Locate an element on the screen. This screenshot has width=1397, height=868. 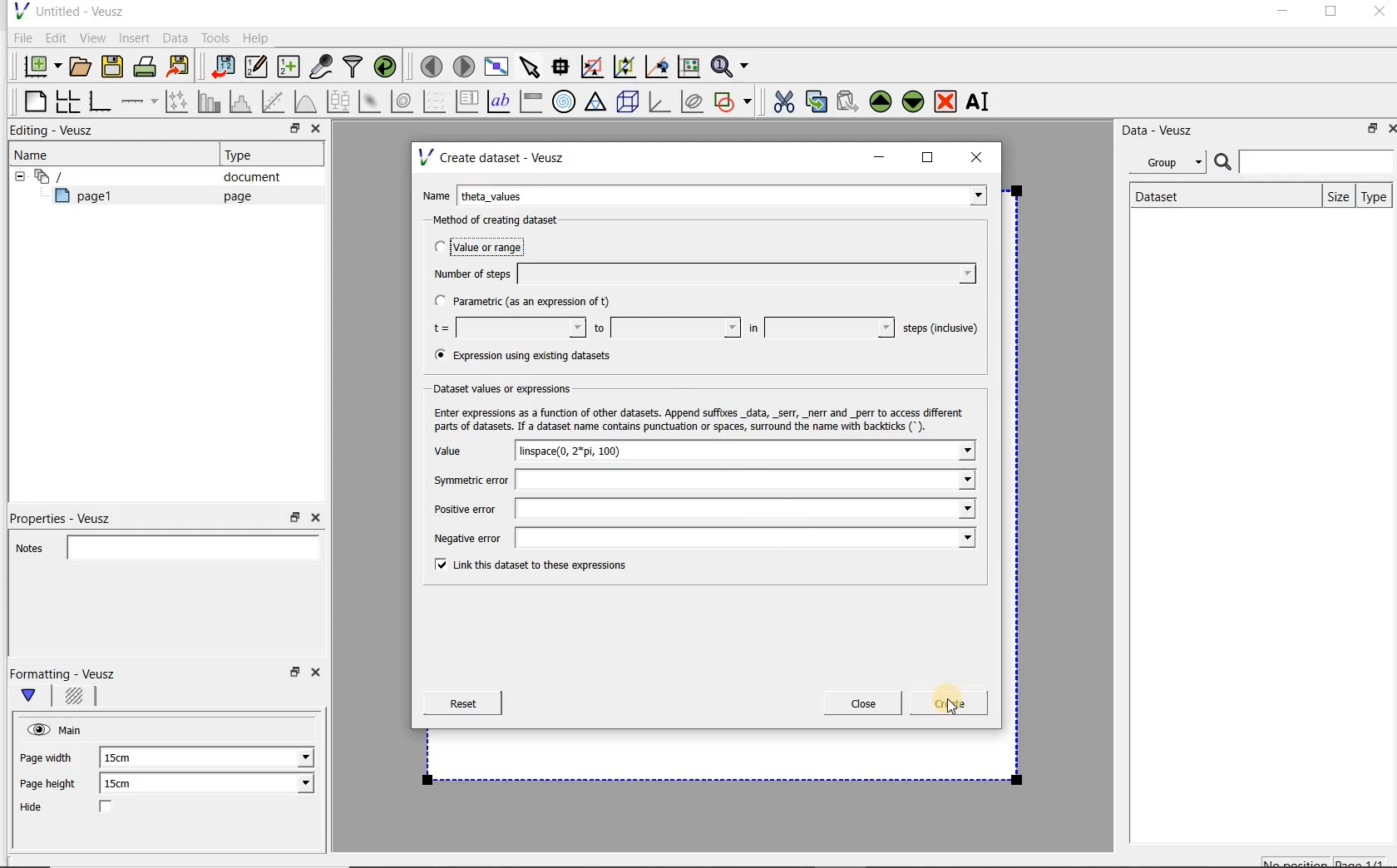
text label is located at coordinates (501, 101).